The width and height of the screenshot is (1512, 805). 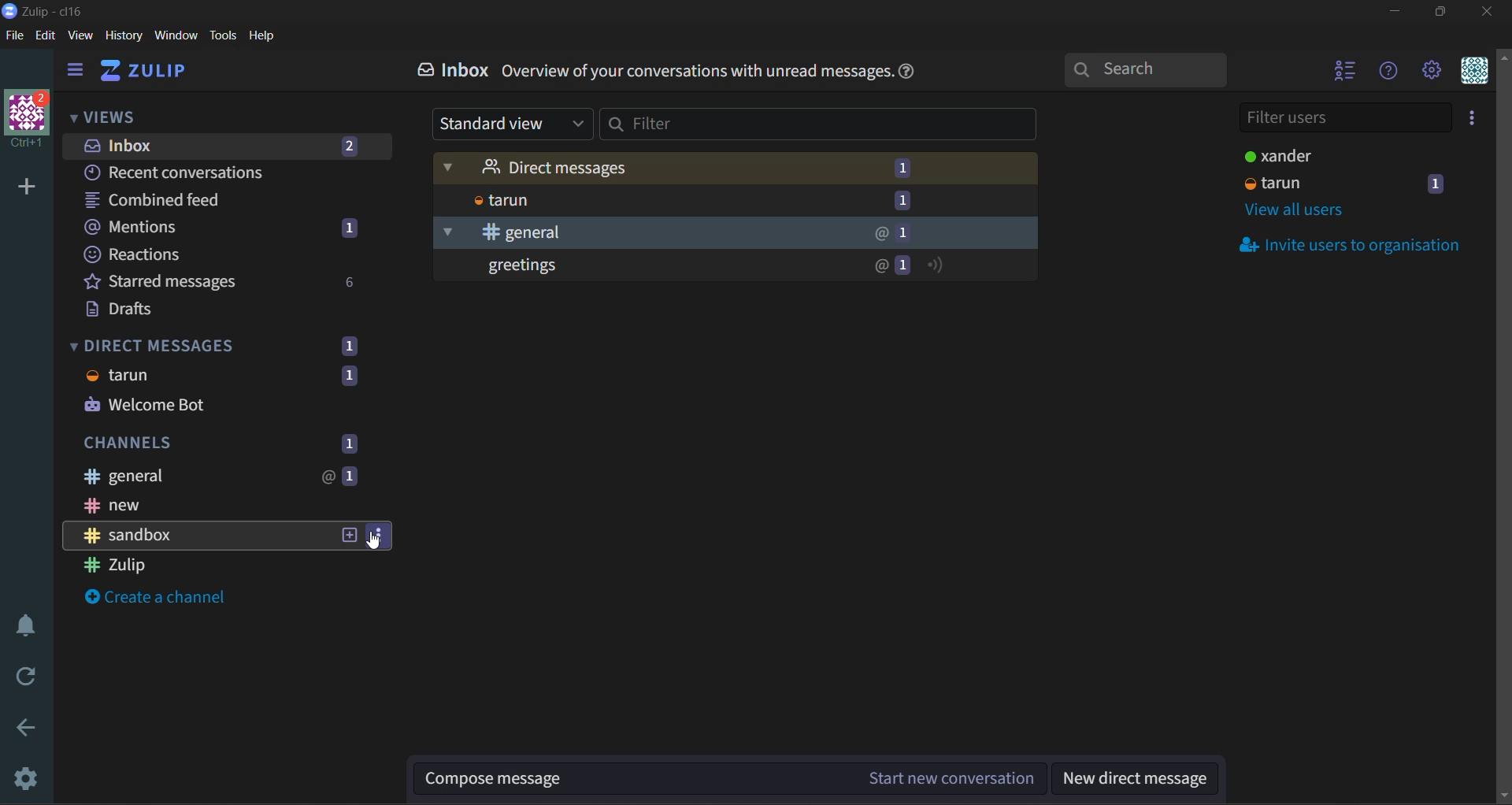 I want to click on general, so click(x=219, y=474).